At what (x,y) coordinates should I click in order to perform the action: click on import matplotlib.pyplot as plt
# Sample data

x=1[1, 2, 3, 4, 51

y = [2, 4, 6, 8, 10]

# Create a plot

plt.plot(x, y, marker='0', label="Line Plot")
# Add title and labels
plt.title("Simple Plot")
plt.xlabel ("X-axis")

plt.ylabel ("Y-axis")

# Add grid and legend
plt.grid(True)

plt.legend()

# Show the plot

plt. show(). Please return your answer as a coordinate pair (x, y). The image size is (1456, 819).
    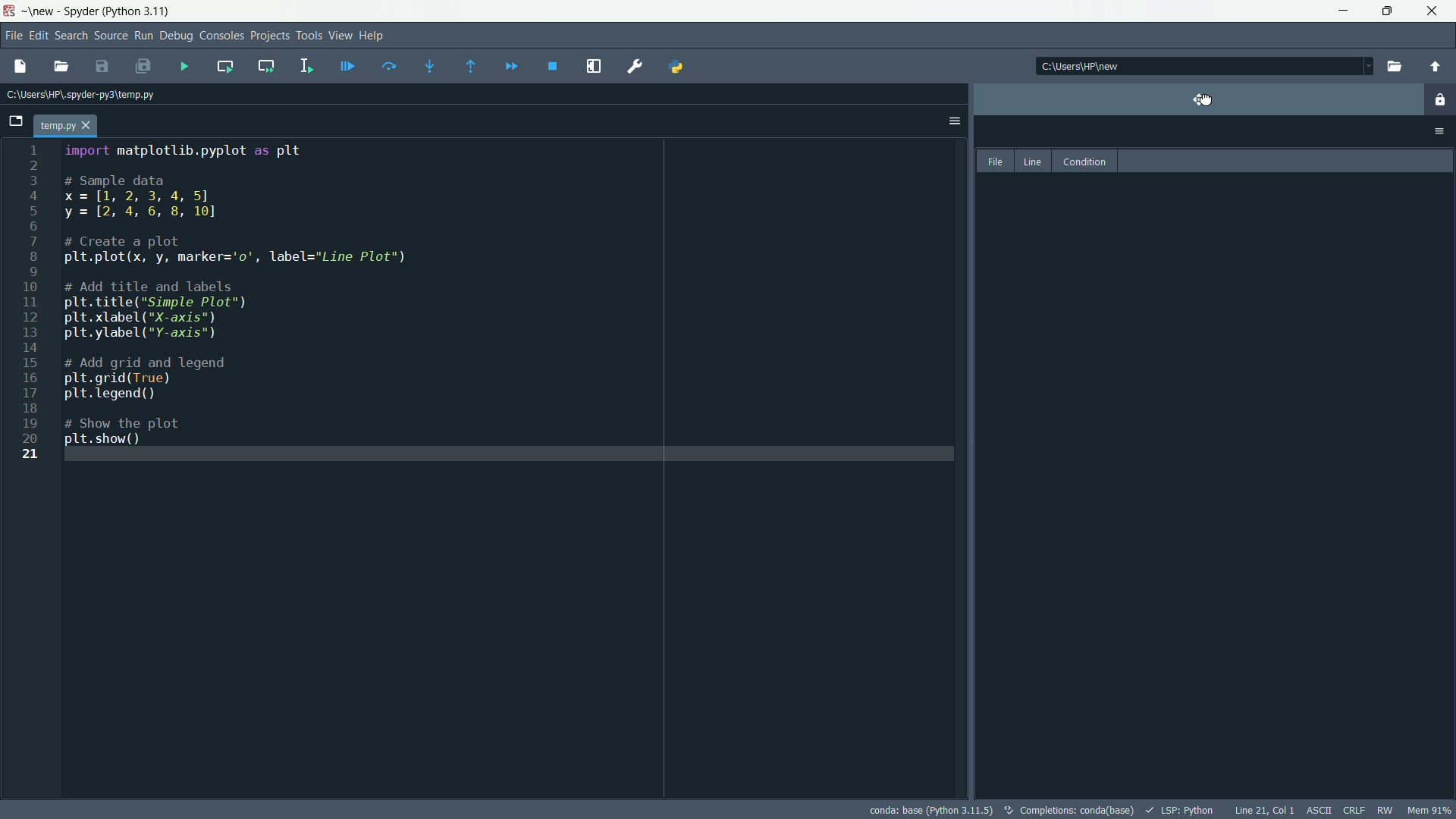
    Looking at the image, I should click on (305, 293).